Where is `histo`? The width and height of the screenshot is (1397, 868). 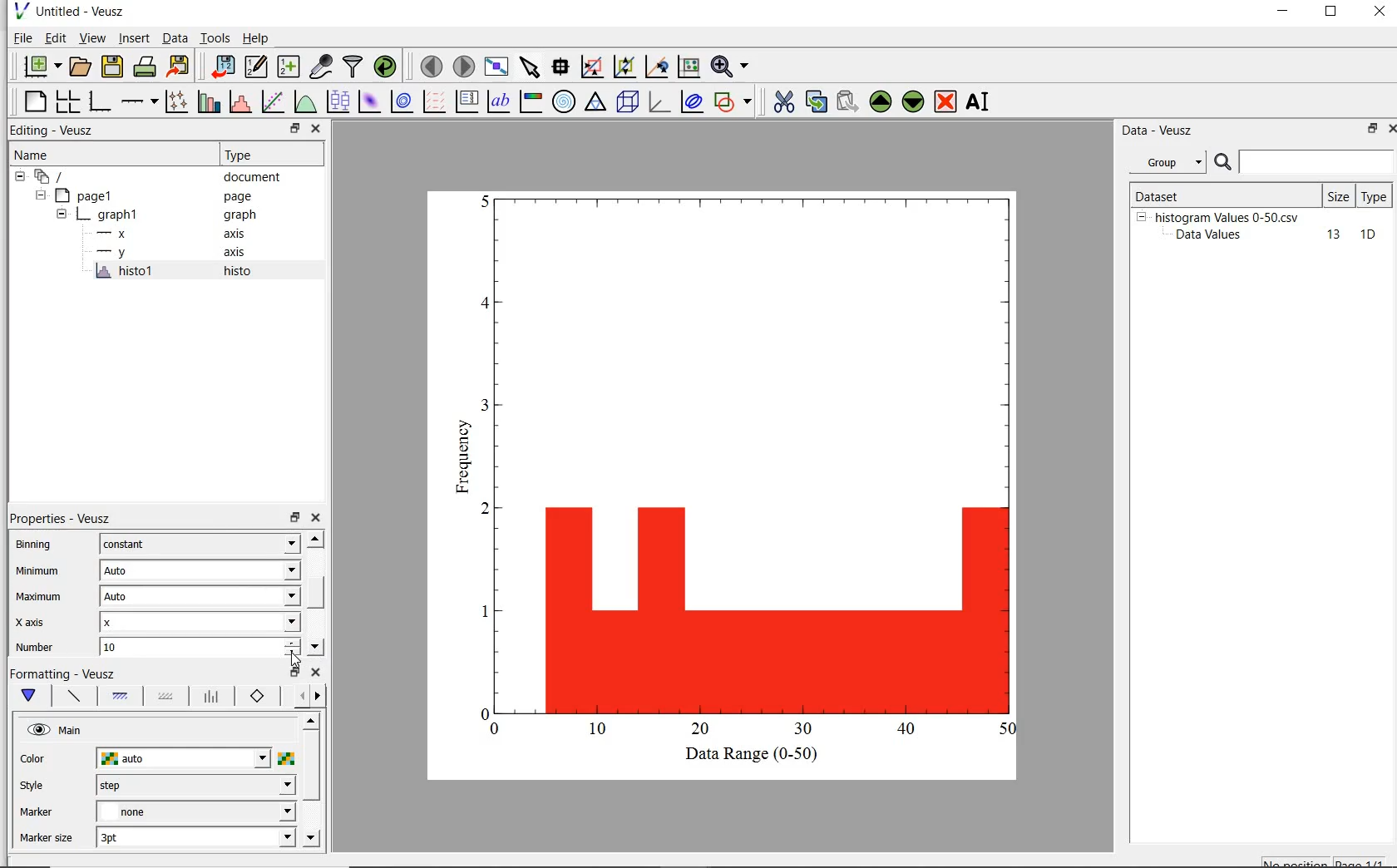
histo is located at coordinates (239, 272).